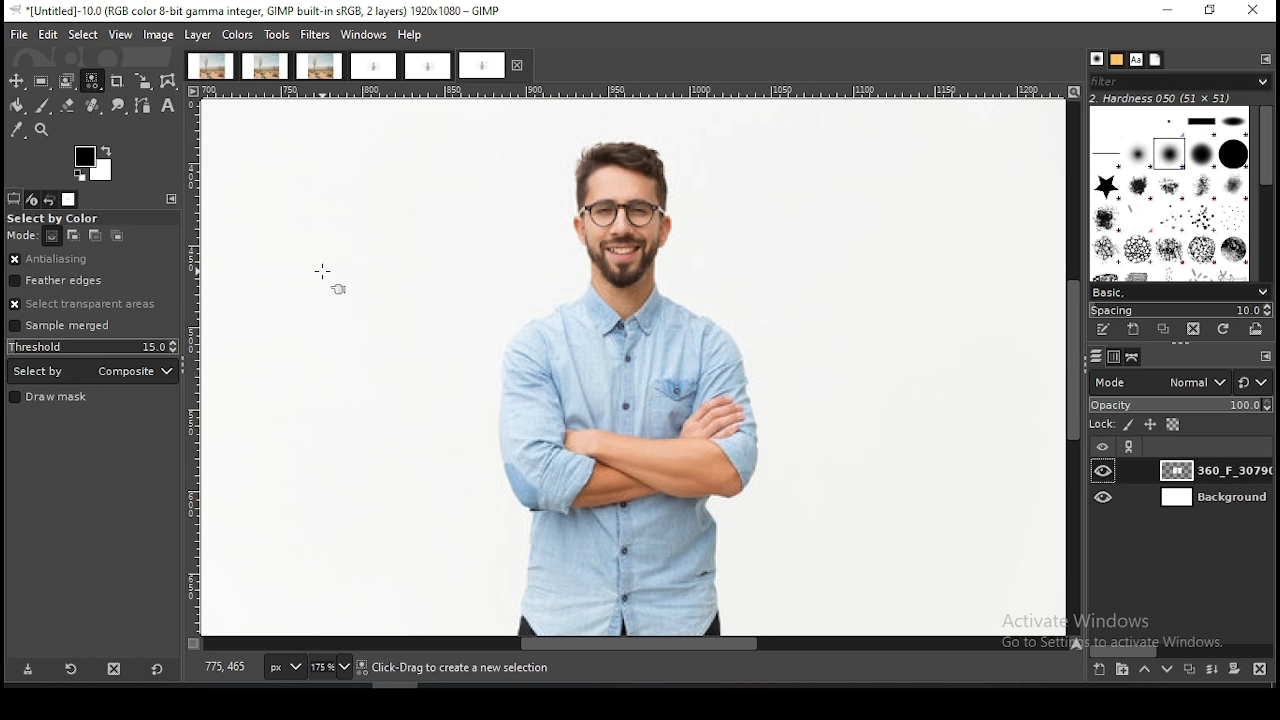 The width and height of the screenshot is (1280, 720). Describe the element at coordinates (1105, 498) in the screenshot. I see `layer visibility on/off` at that location.